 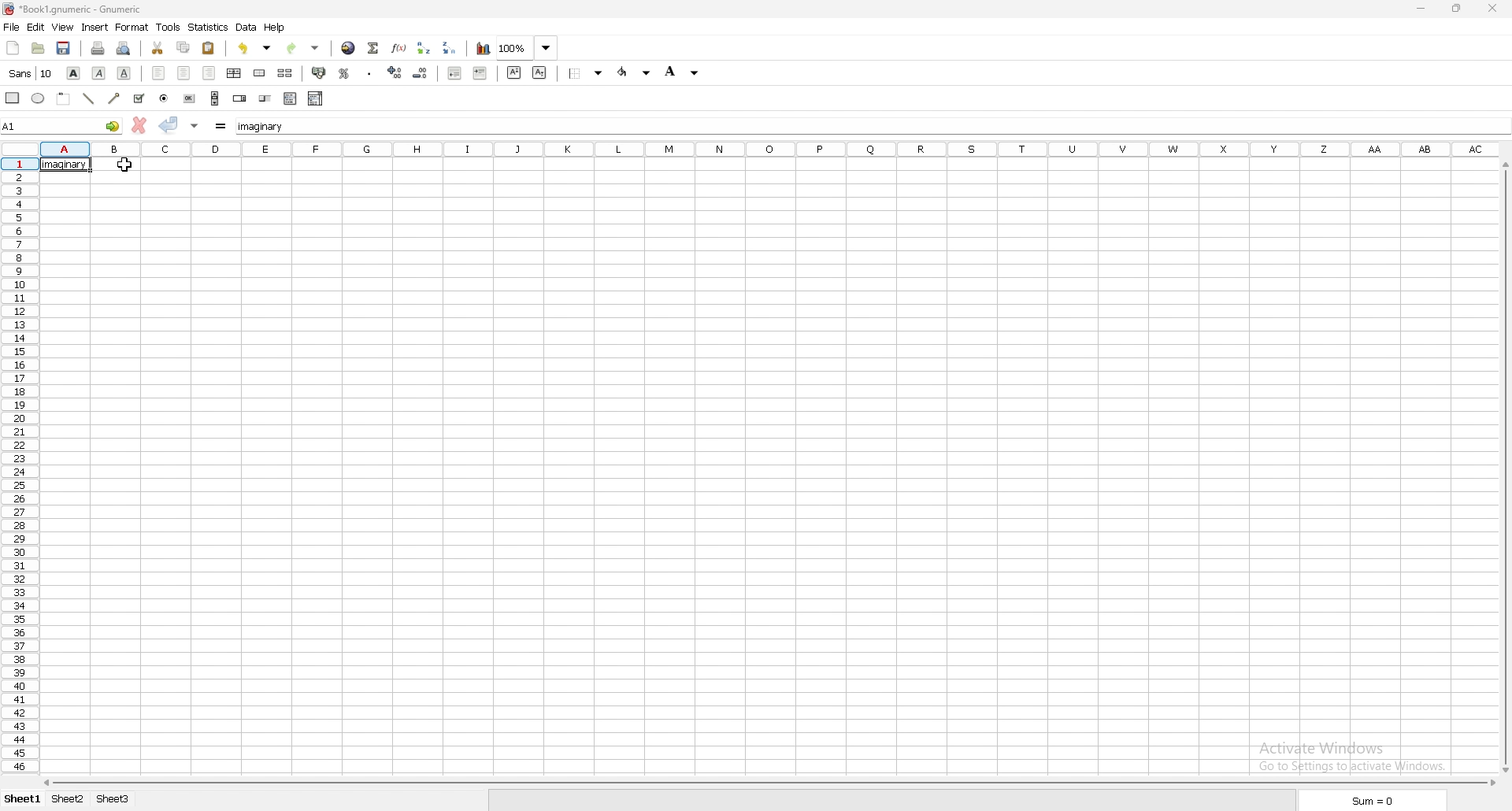 What do you see at coordinates (37, 49) in the screenshot?
I see `open` at bounding box center [37, 49].